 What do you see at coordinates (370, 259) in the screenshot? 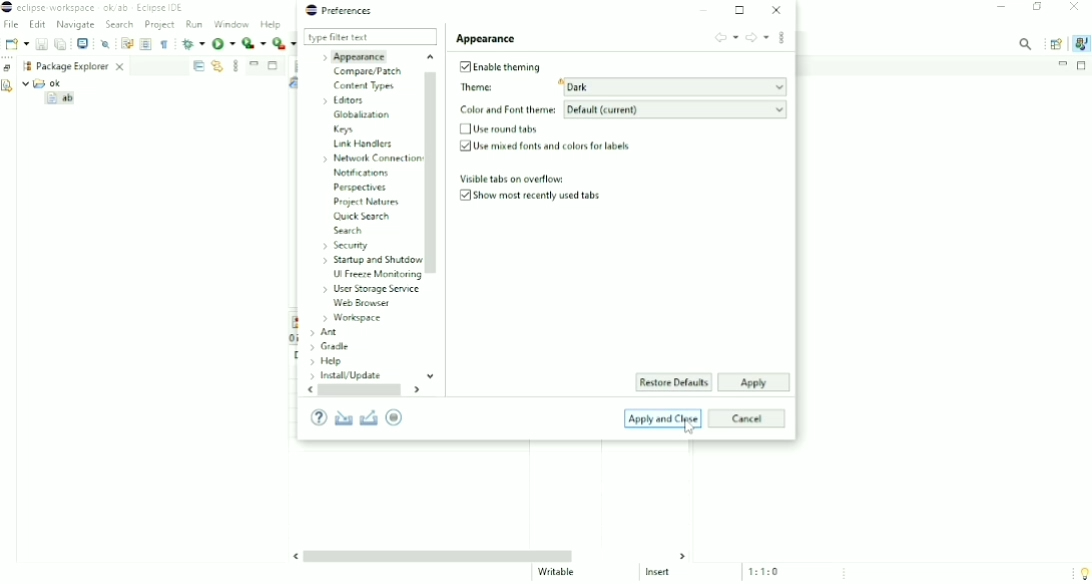
I see `Startup and Shutdown` at bounding box center [370, 259].